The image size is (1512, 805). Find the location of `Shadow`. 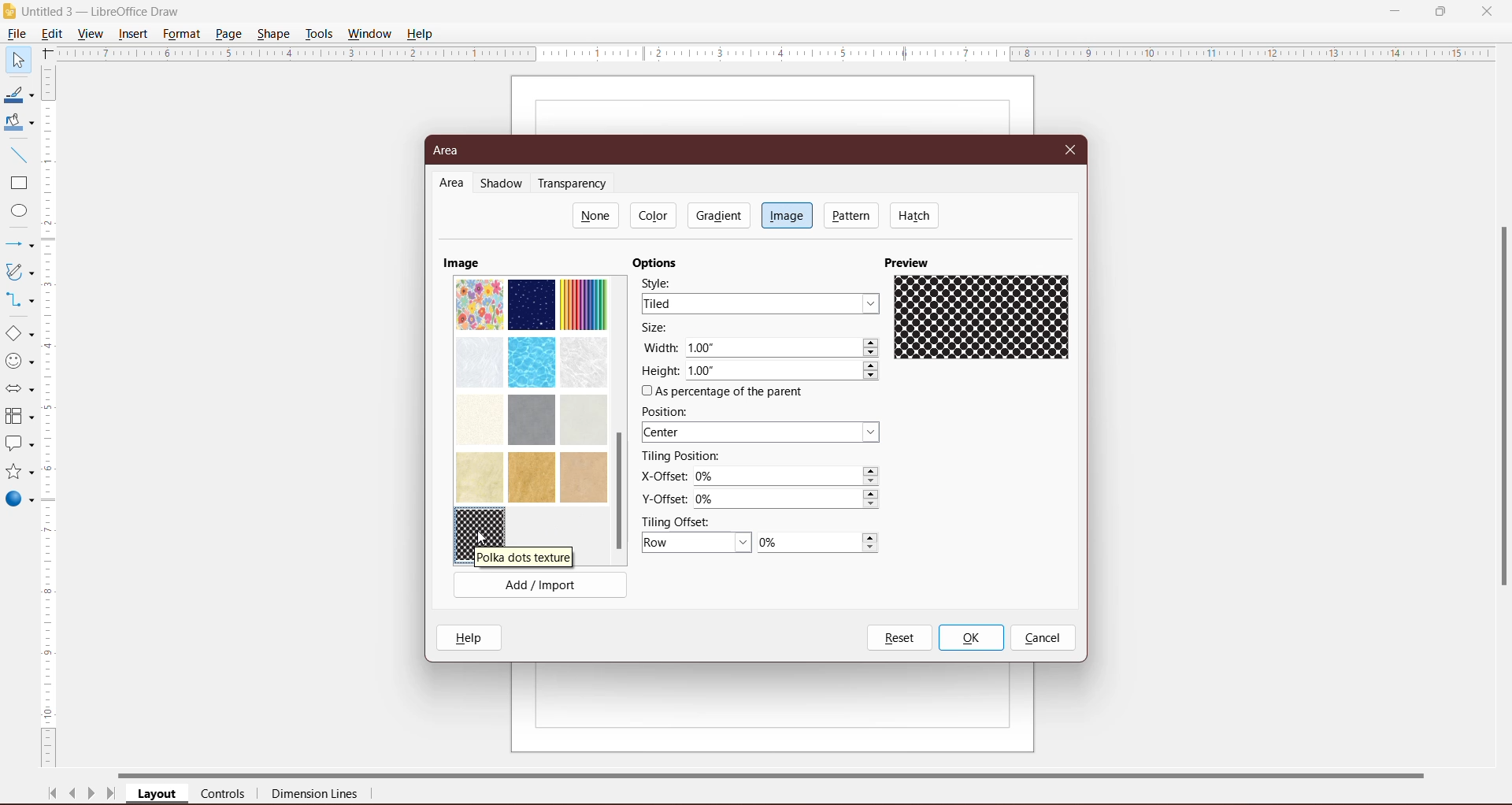

Shadow is located at coordinates (504, 184).